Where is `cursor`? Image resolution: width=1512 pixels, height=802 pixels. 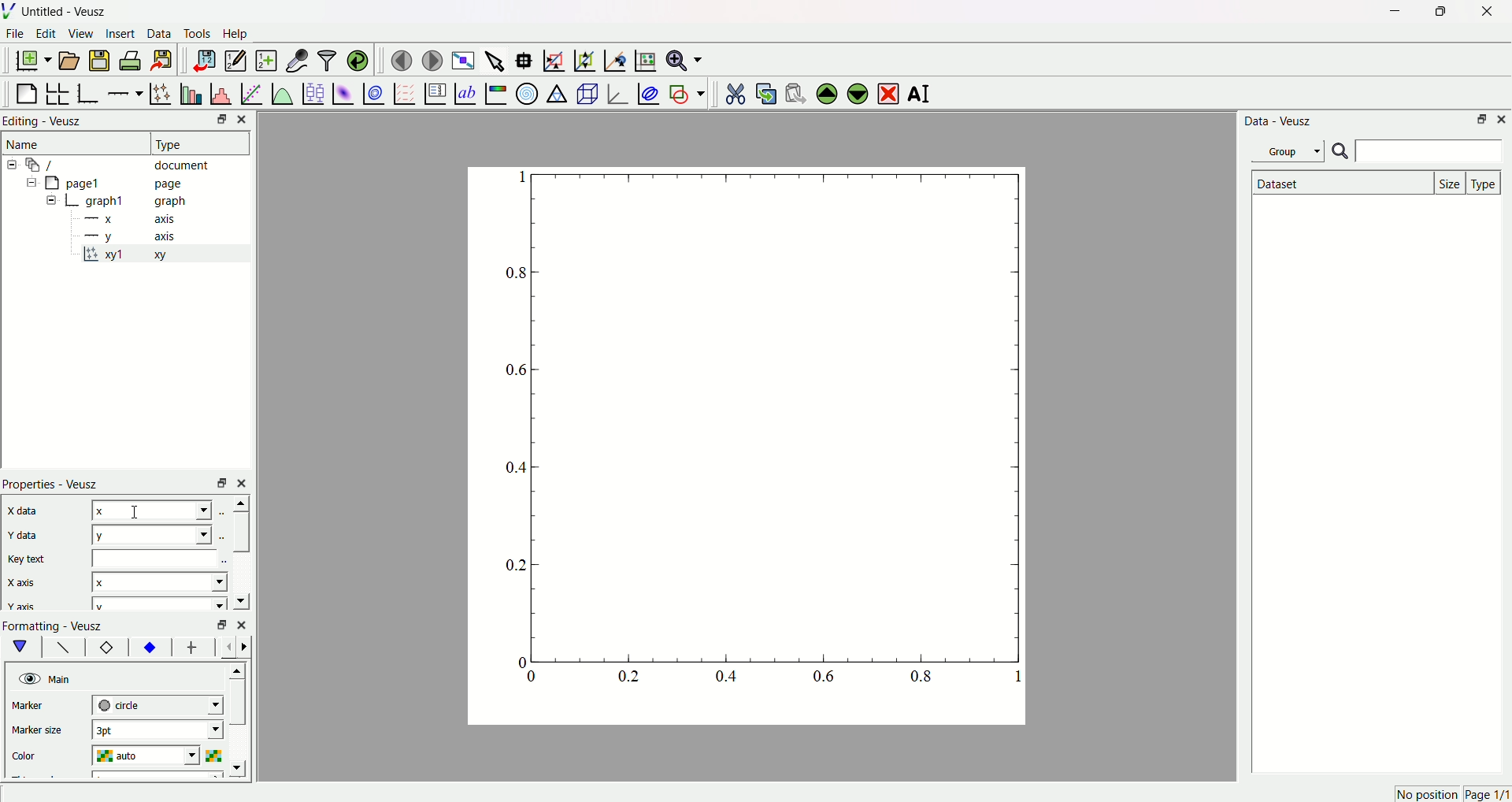
cursor is located at coordinates (136, 511).